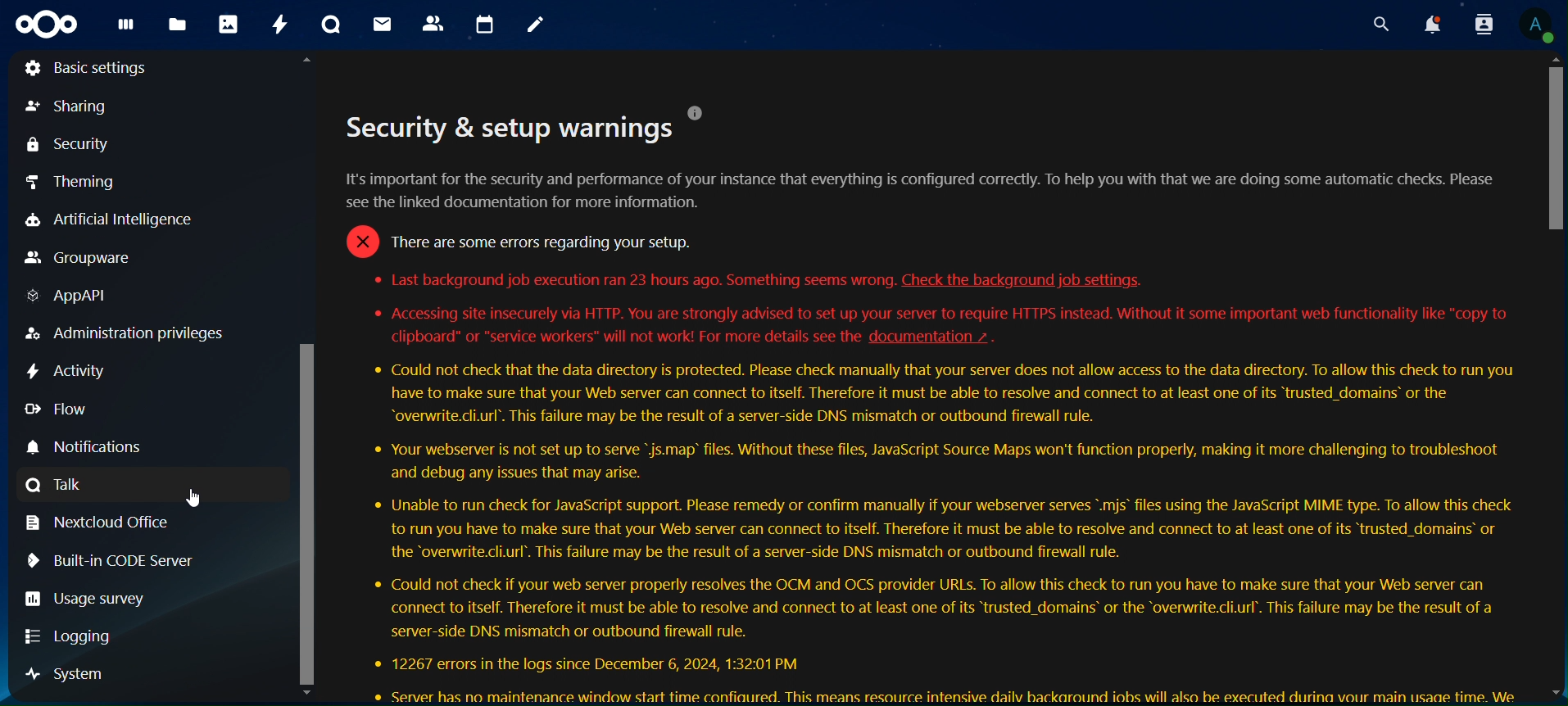 The height and width of the screenshot is (706, 1568). What do you see at coordinates (587, 662) in the screenshot?
I see `® 12267 errors in the logs since December 6, 2024, 1:32:01 PM` at bounding box center [587, 662].